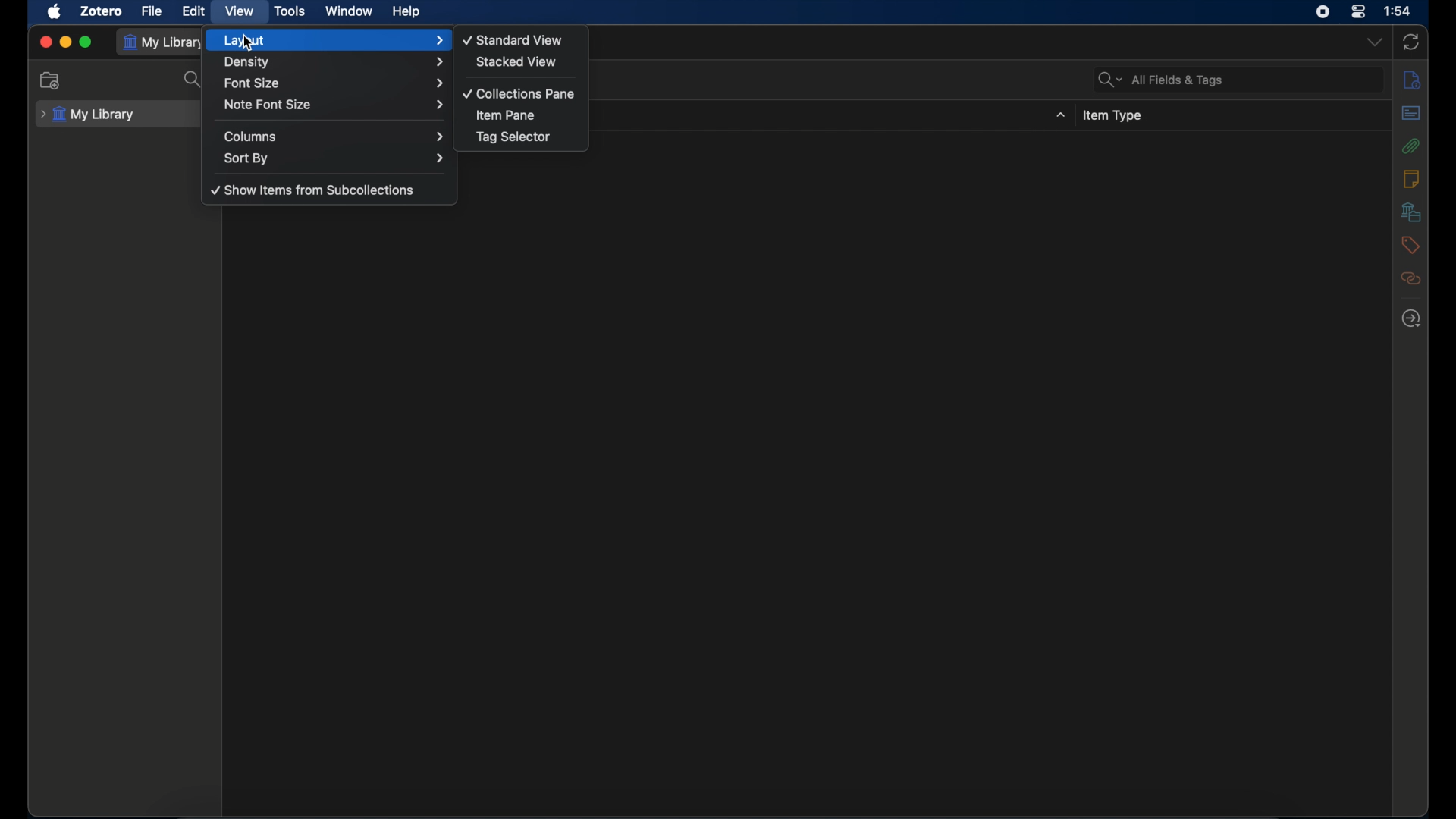 Image resolution: width=1456 pixels, height=819 pixels. Describe the element at coordinates (90, 115) in the screenshot. I see `my library` at that location.